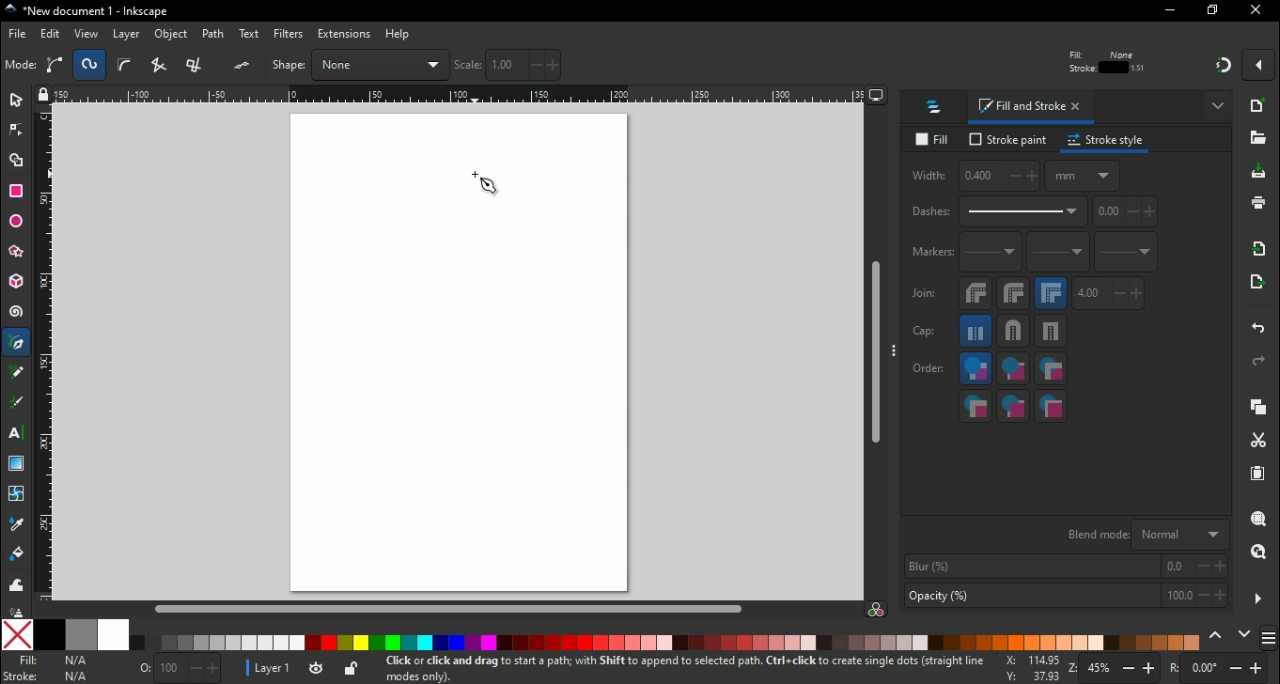 Image resolution: width=1280 pixels, height=684 pixels. I want to click on next, so click(1245, 634).